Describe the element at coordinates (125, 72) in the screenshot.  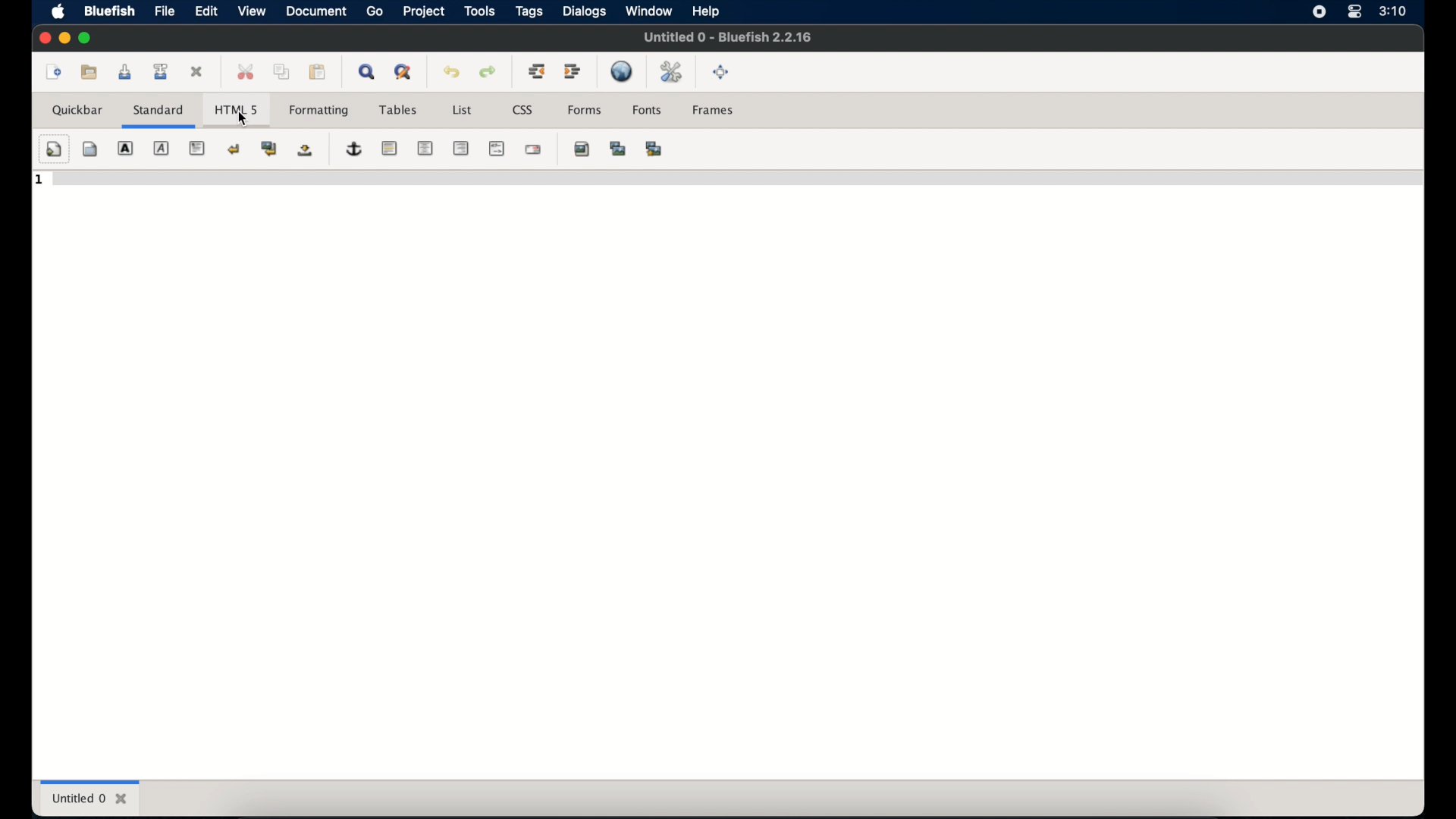
I see `save current file` at that location.